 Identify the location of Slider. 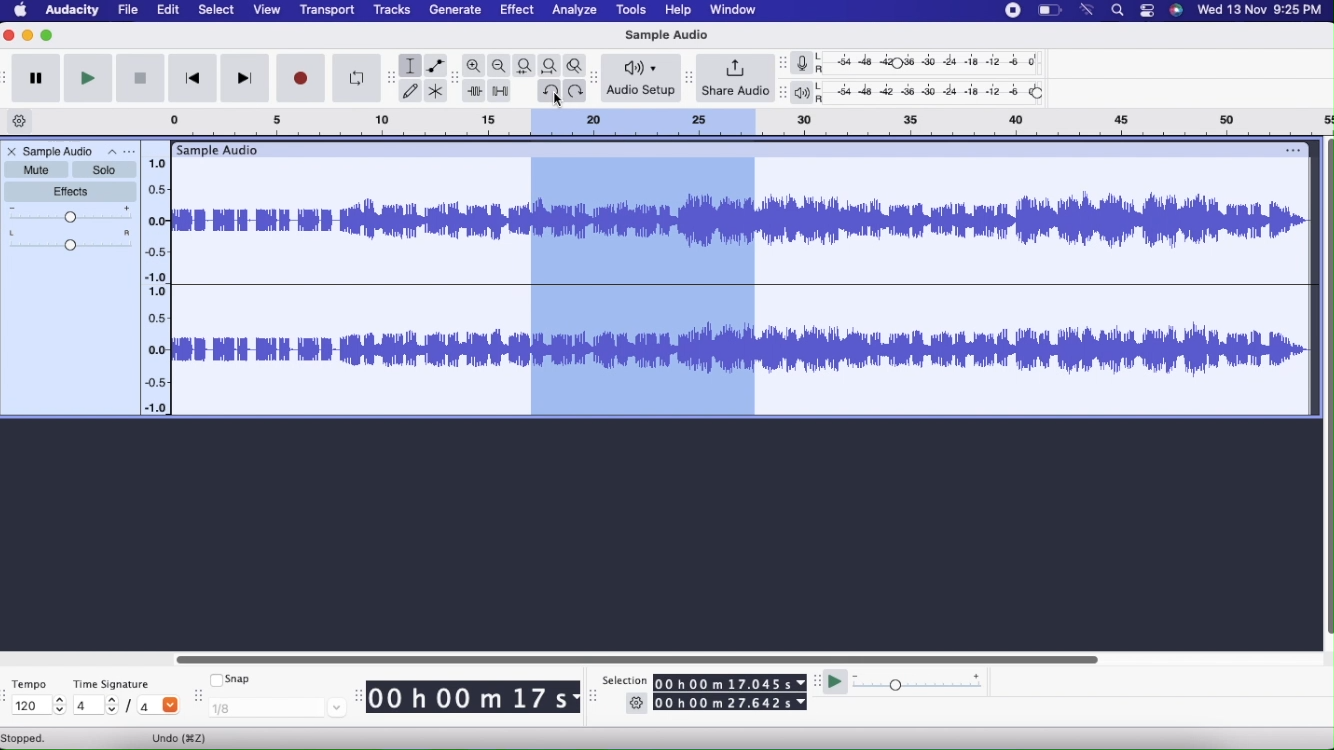
(158, 282).